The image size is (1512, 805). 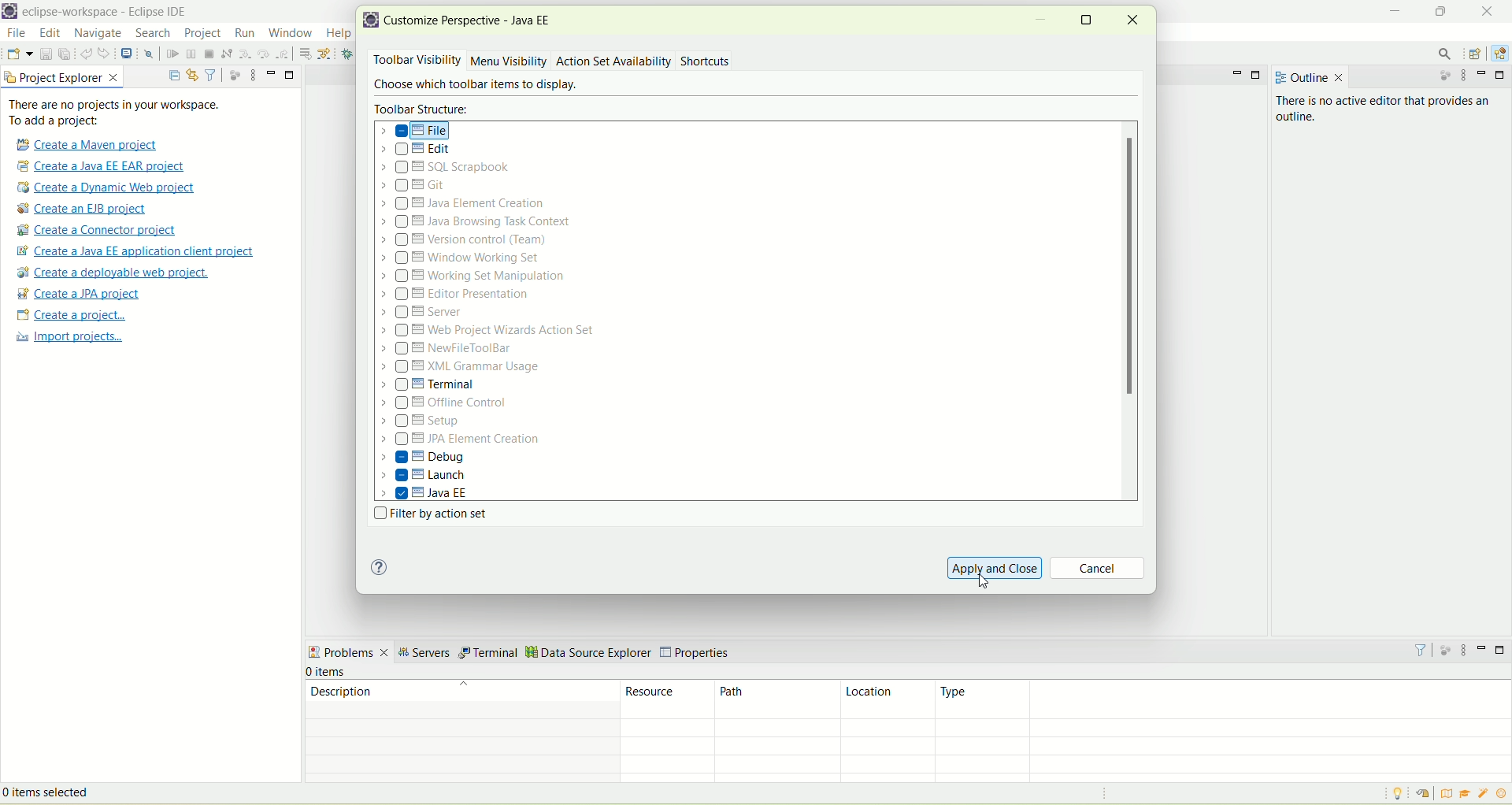 What do you see at coordinates (1503, 76) in the screenshot?
I see `maximize` at bounding box center [1503, 76].